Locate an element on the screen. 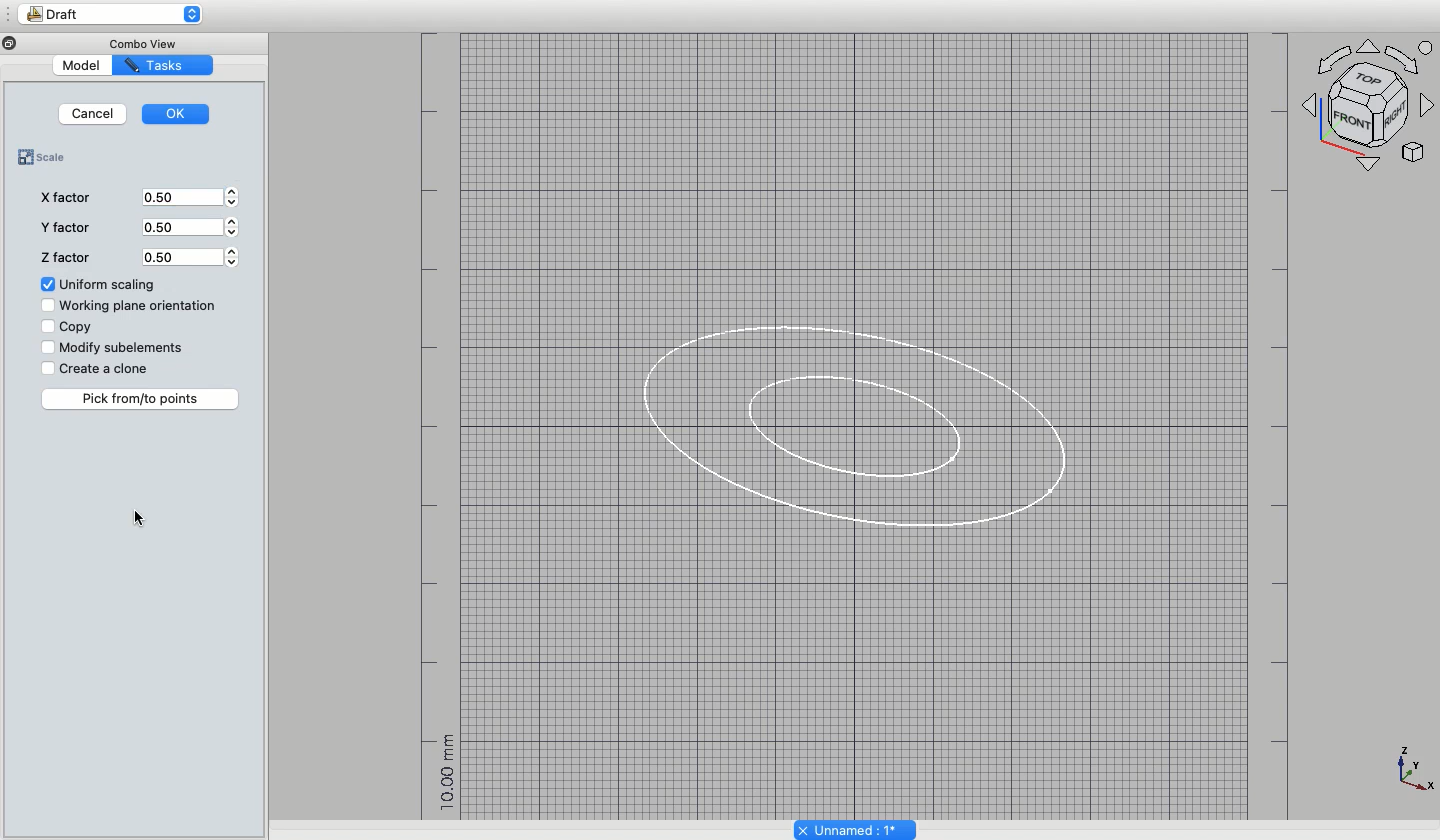 This screenshot has height=840, width=1440. 0.50 is located at coordinates (189, 256).